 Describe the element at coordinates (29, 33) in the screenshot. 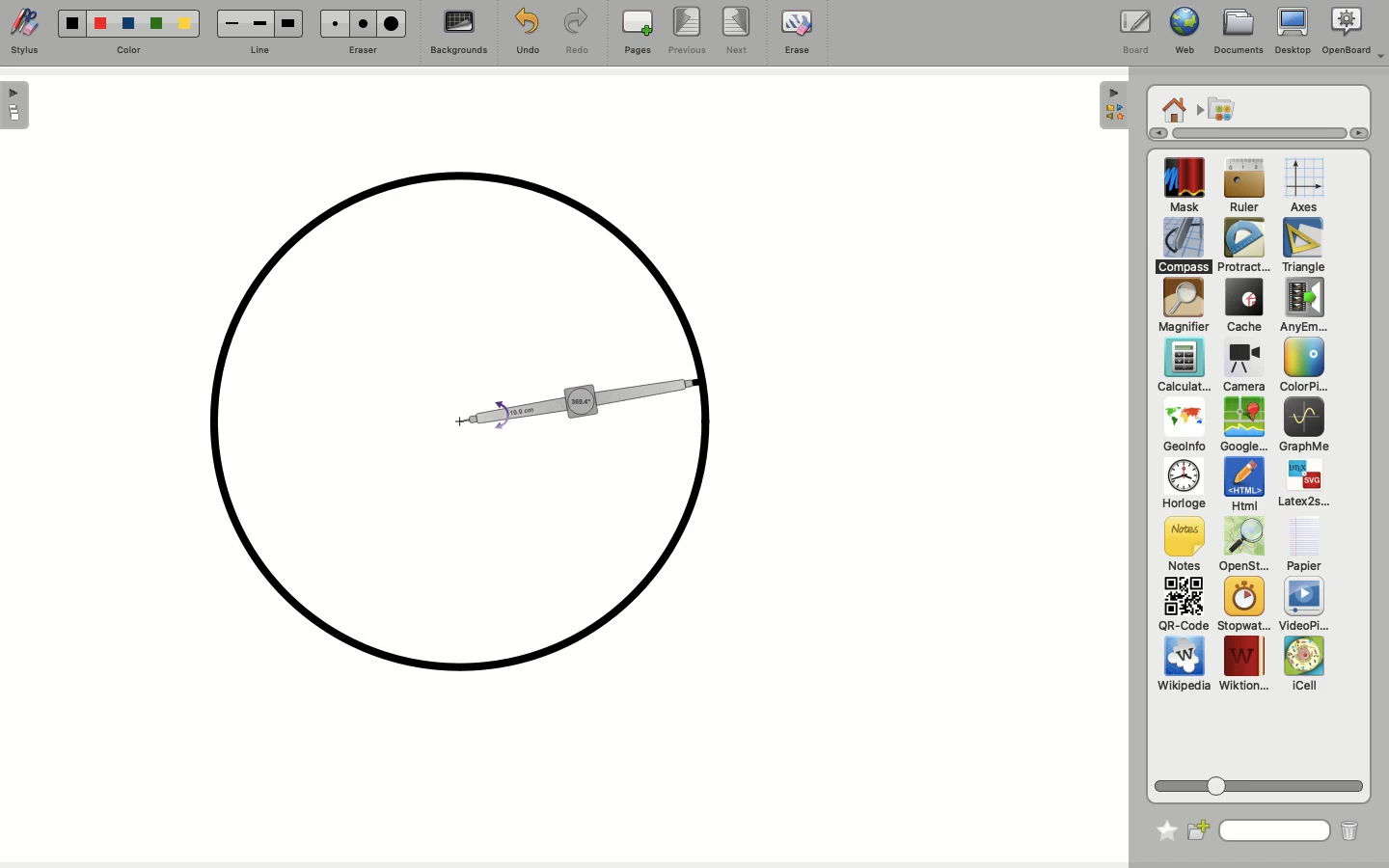

I see `Stylus` at that location.